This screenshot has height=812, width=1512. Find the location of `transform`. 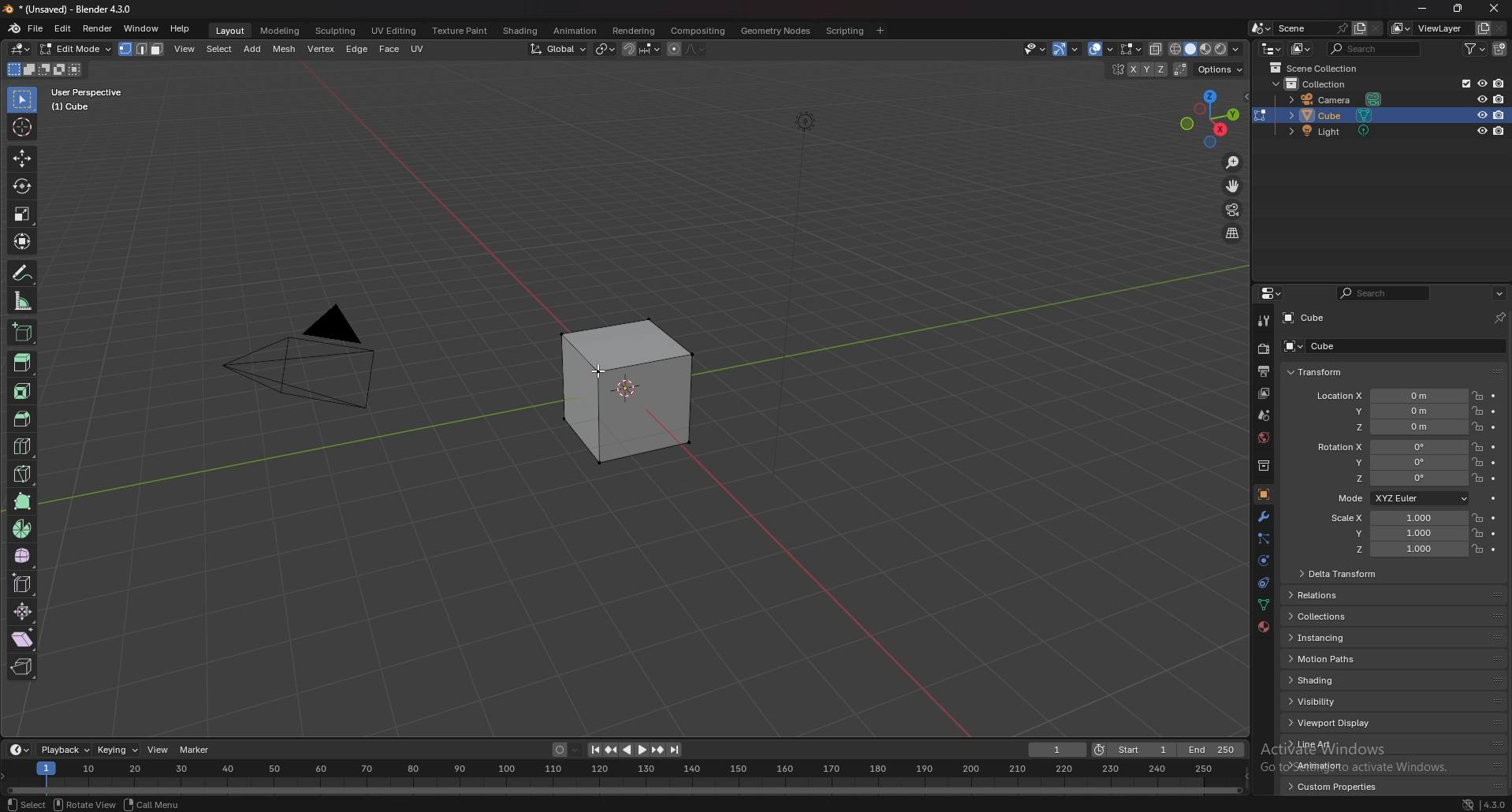

transform is located at coordinates (1320, 372).